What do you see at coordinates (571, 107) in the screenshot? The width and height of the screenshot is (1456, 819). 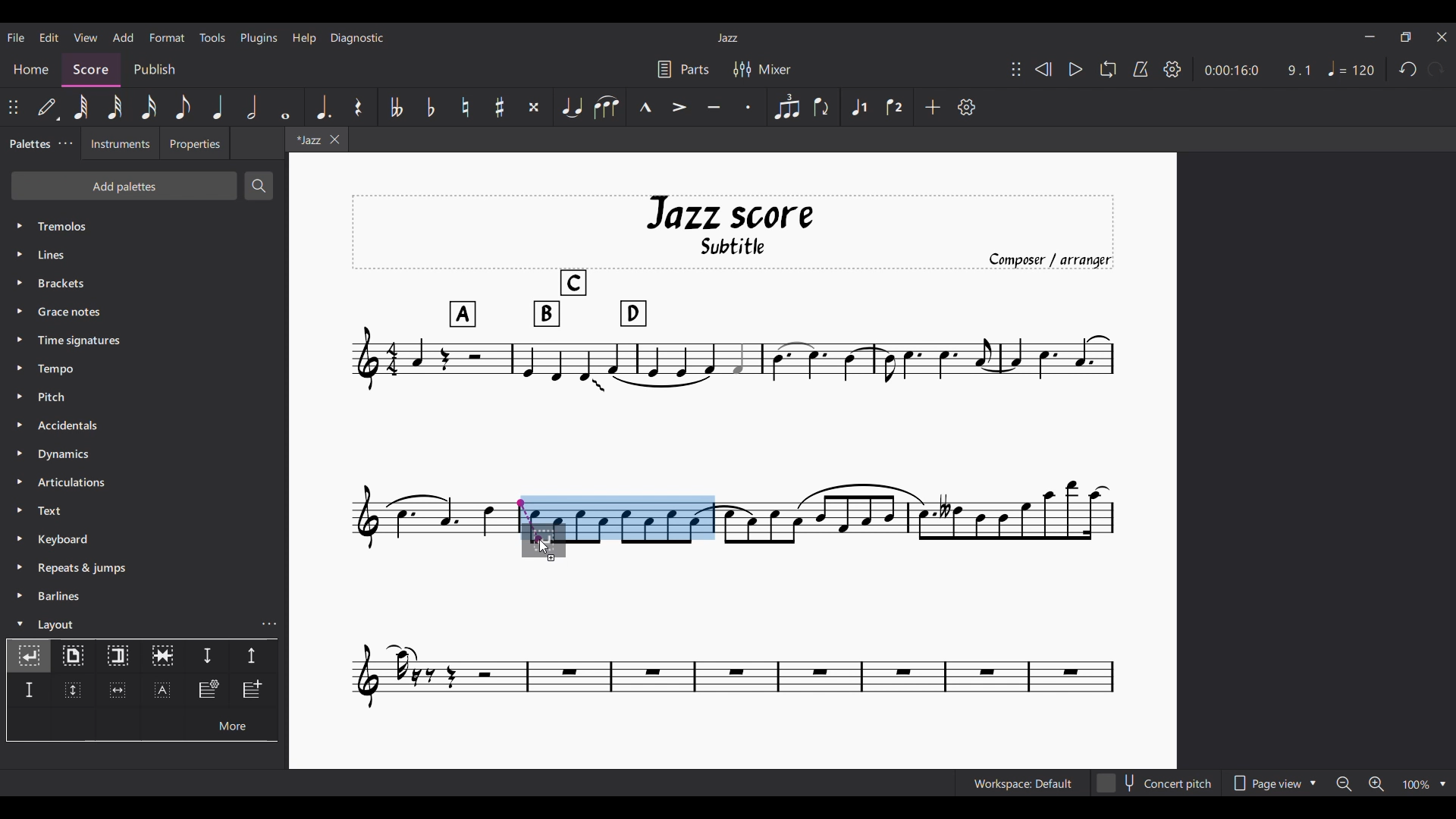 I see `Tie` at bounding box center [571, 107].